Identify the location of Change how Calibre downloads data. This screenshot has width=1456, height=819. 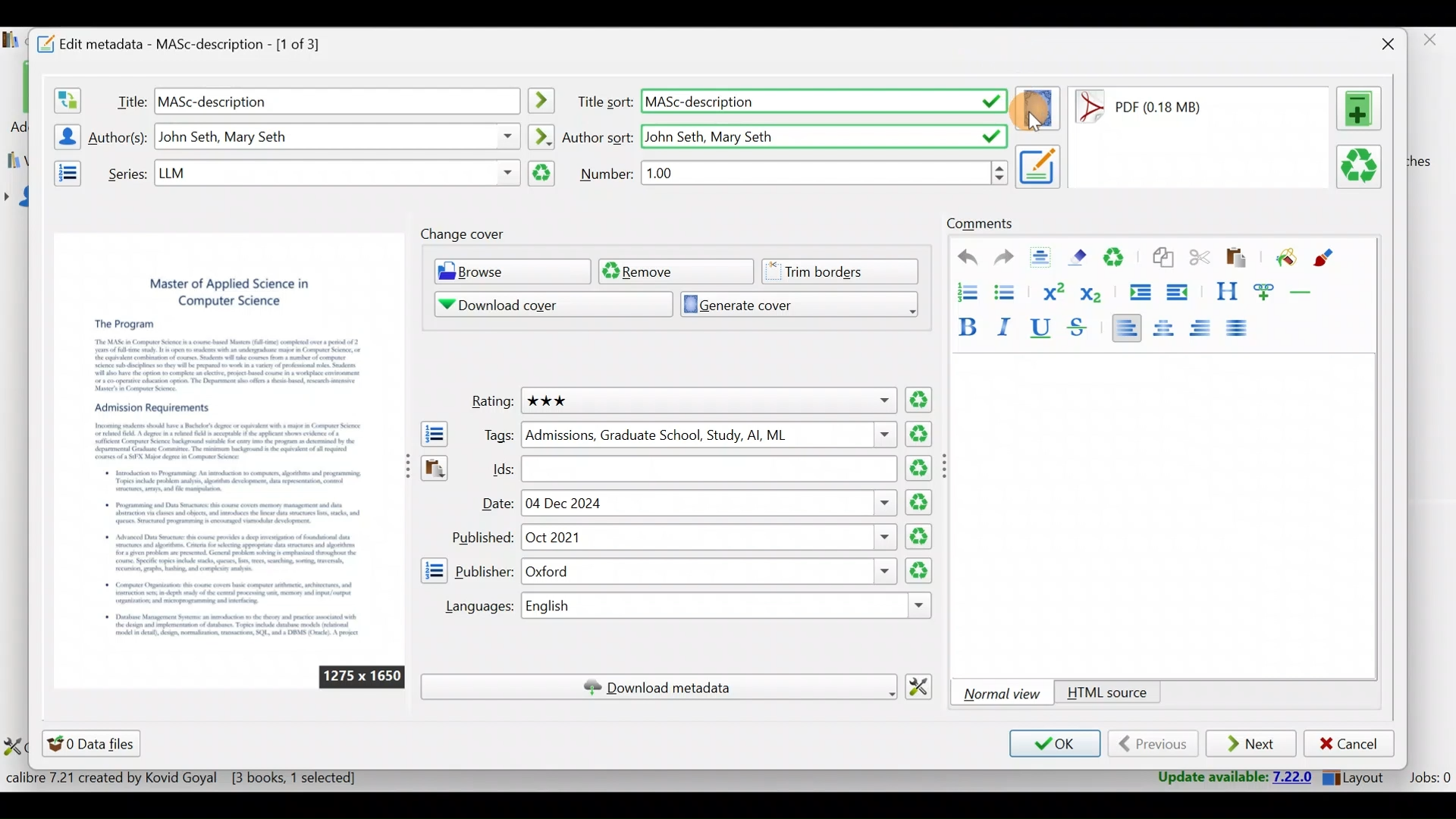
(924, 685).